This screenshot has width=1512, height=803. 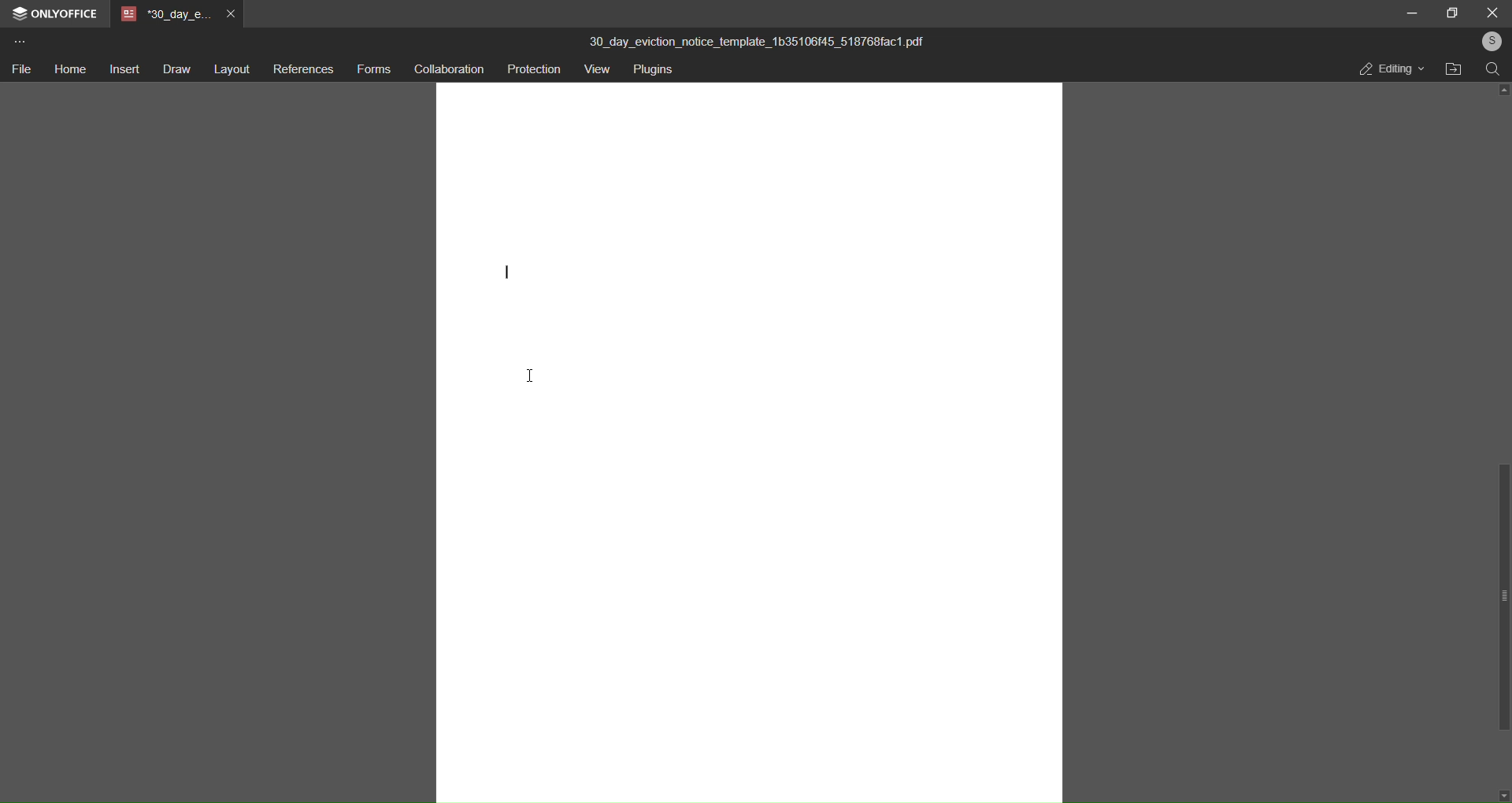 What do you see at coordinates (19, 44) in the screenshot?
I see `more` at bounding box center [19, 44].